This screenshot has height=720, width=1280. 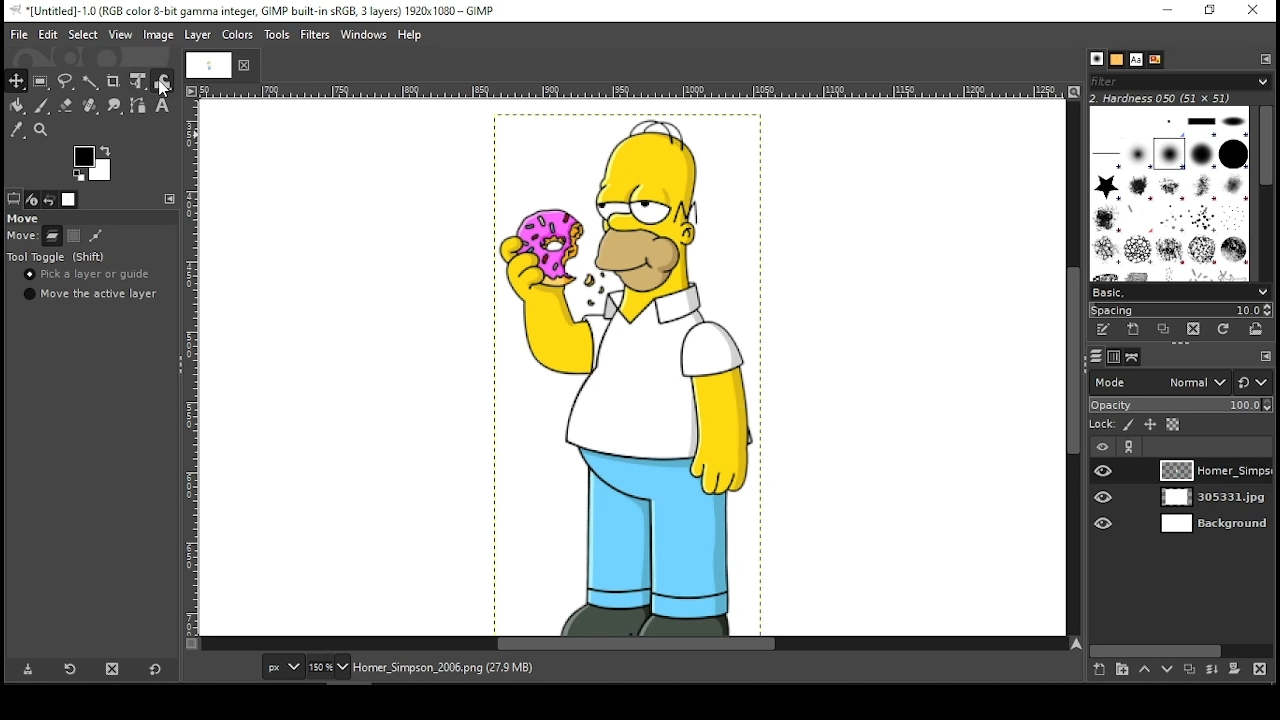 What do you see at coordinates (1076, 369) in the screenshot?
I see `scroll bar` at bounding box center [1076, 369].